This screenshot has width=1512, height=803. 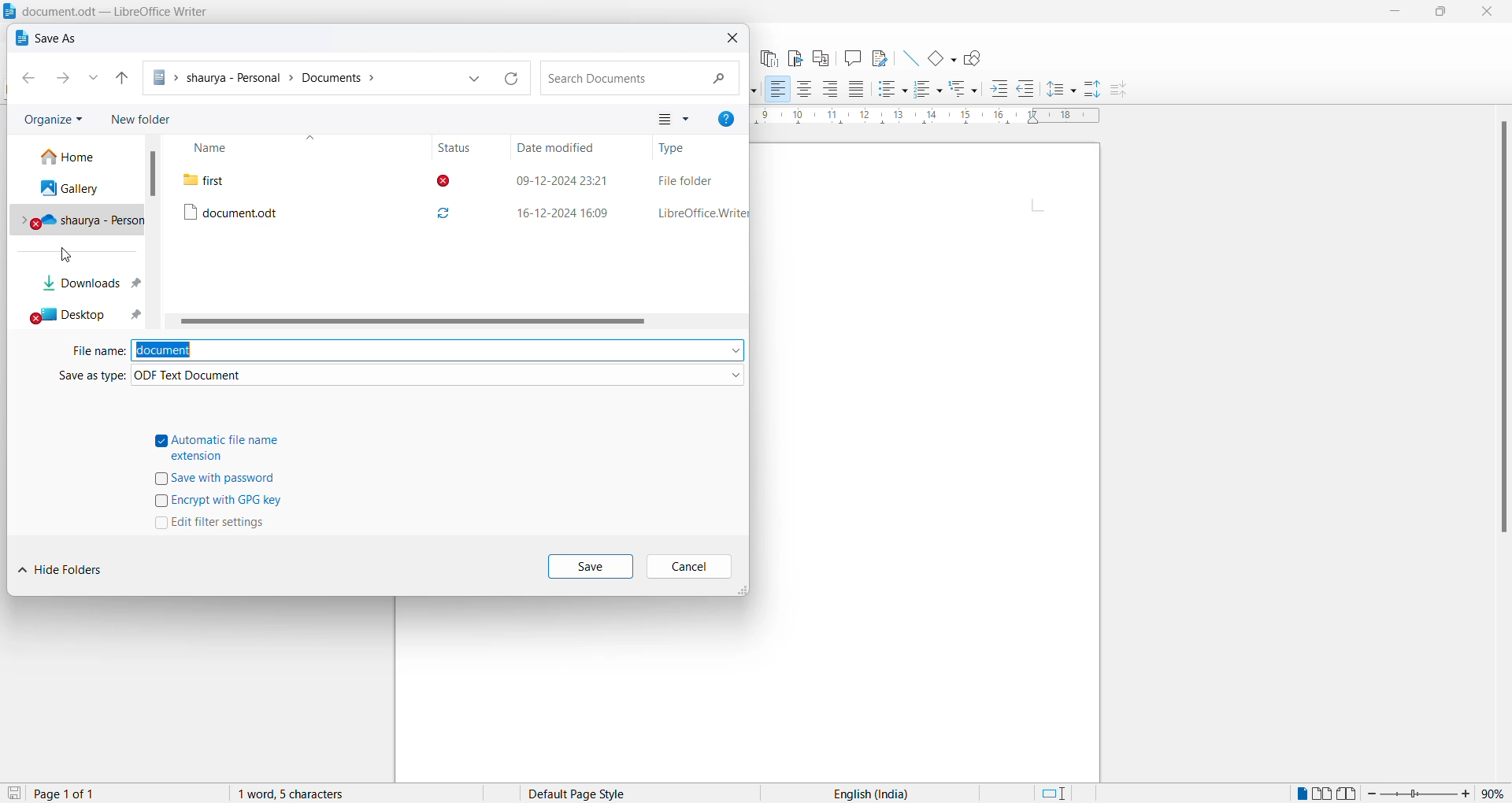 I want to click on page, so click(x=930, y=461).